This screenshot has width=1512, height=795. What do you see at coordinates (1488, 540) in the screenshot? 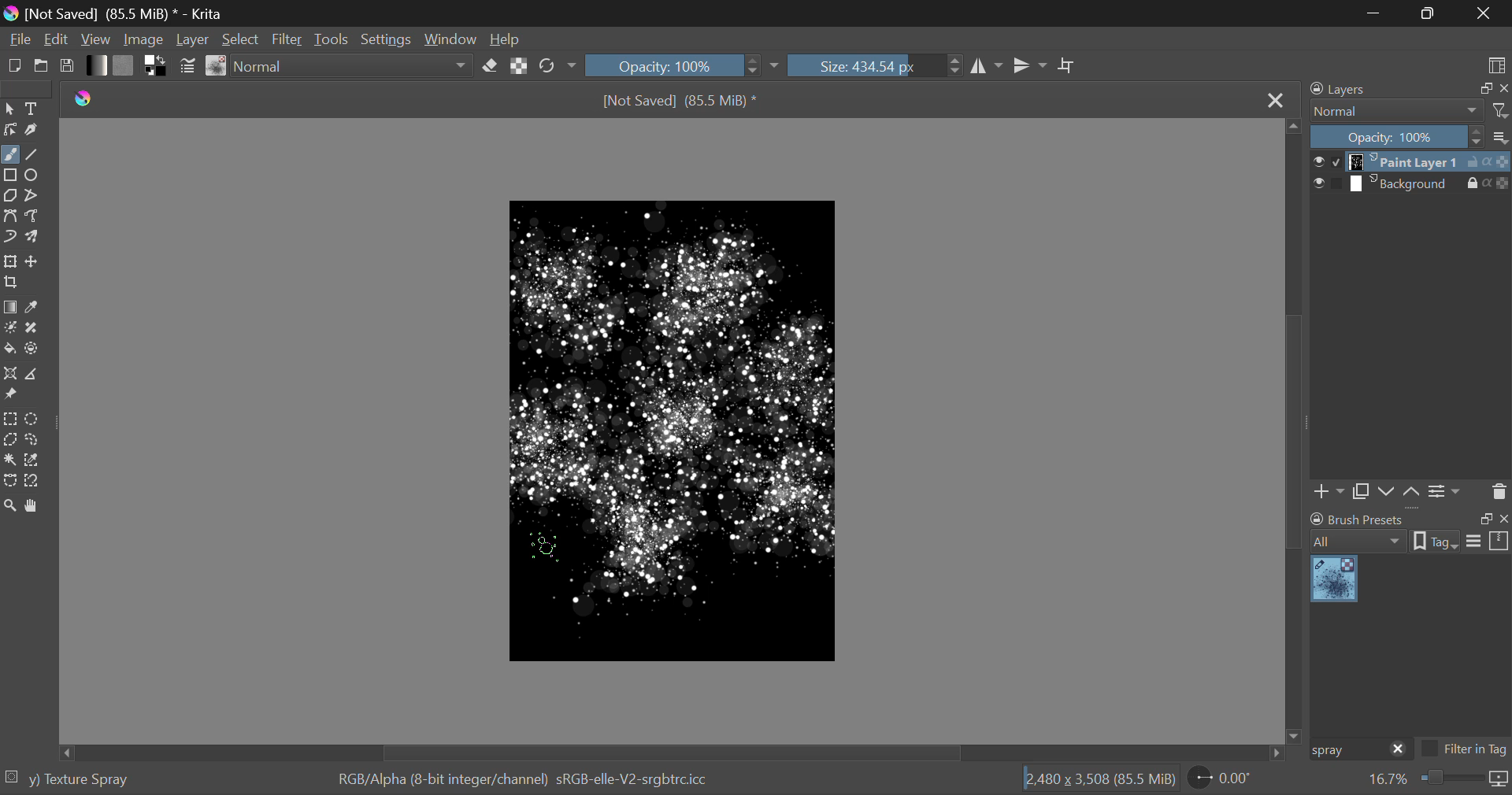
I see `options` at bounding box center [1488, 540].